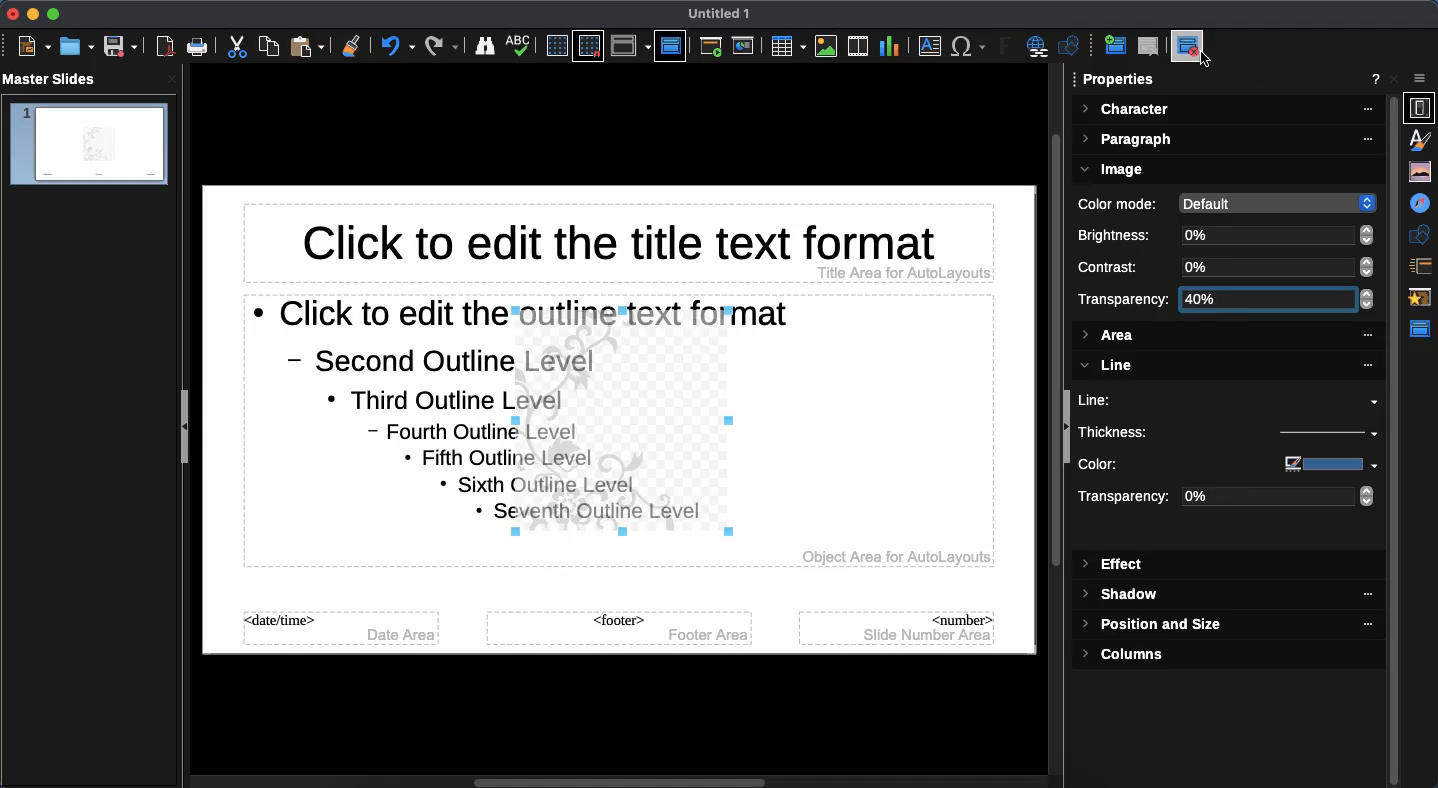 The width and height of the screenshot is (1438, 788). Describe the element at coordinates (362, 426) in the screenshot. I see `Master slide text` at that location.